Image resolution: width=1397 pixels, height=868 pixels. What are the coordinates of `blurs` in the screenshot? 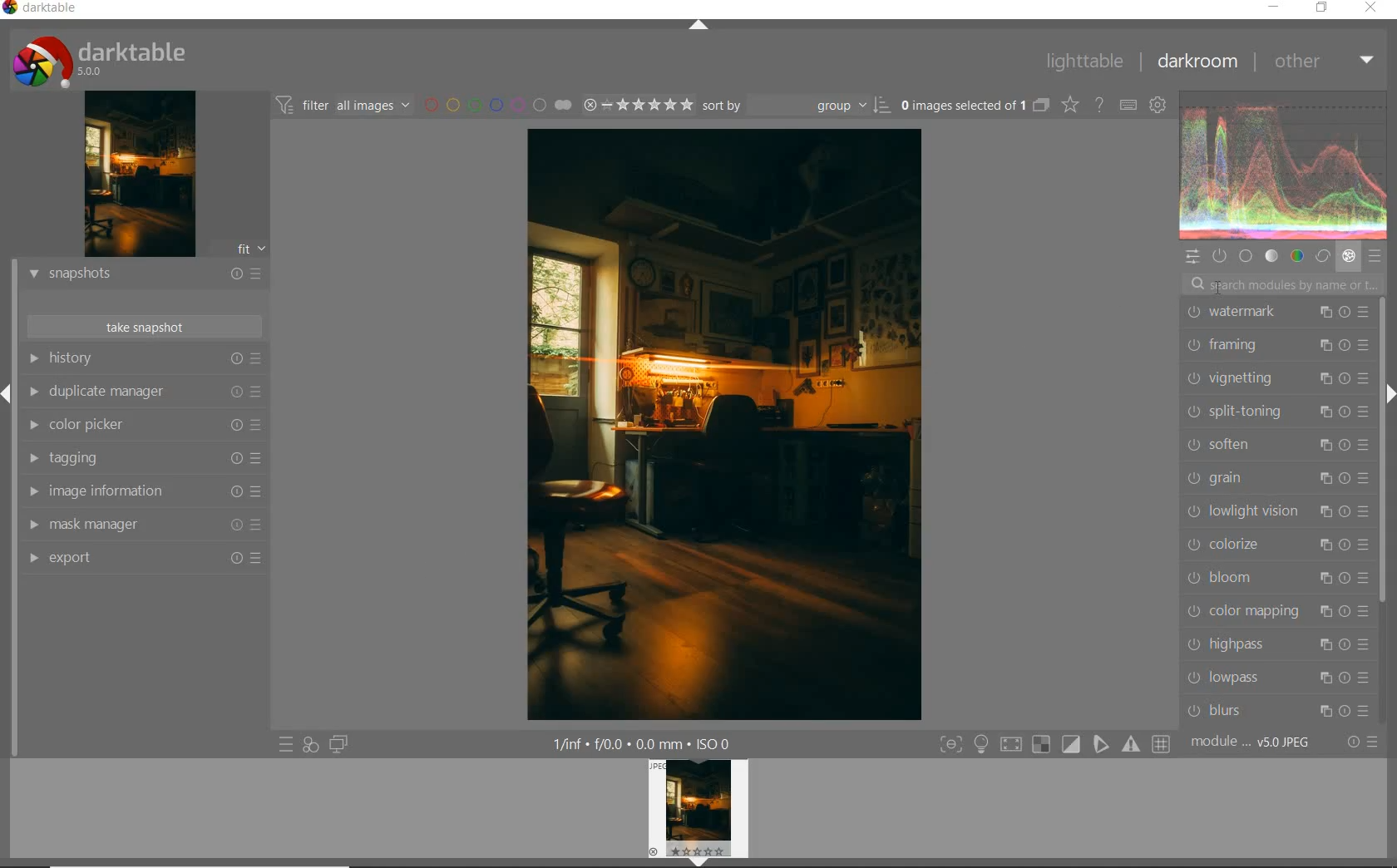 It's located at (1279, 711).